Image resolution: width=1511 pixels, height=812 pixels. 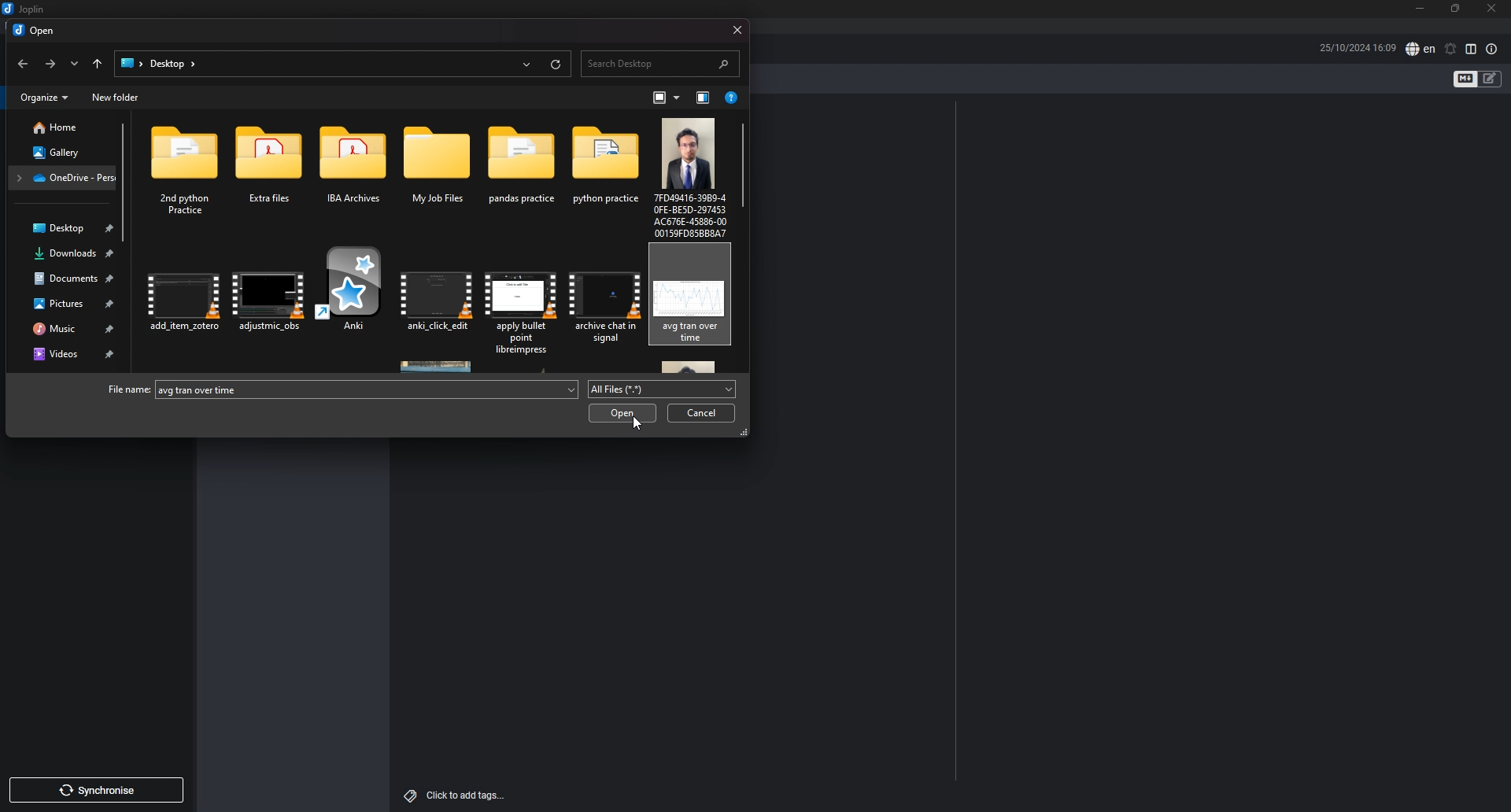 I want to click on 7D49416-3989-4E-BESD-207453COT6E-45886-00Y150FDASBRAAT, so click(x=690, y=175).